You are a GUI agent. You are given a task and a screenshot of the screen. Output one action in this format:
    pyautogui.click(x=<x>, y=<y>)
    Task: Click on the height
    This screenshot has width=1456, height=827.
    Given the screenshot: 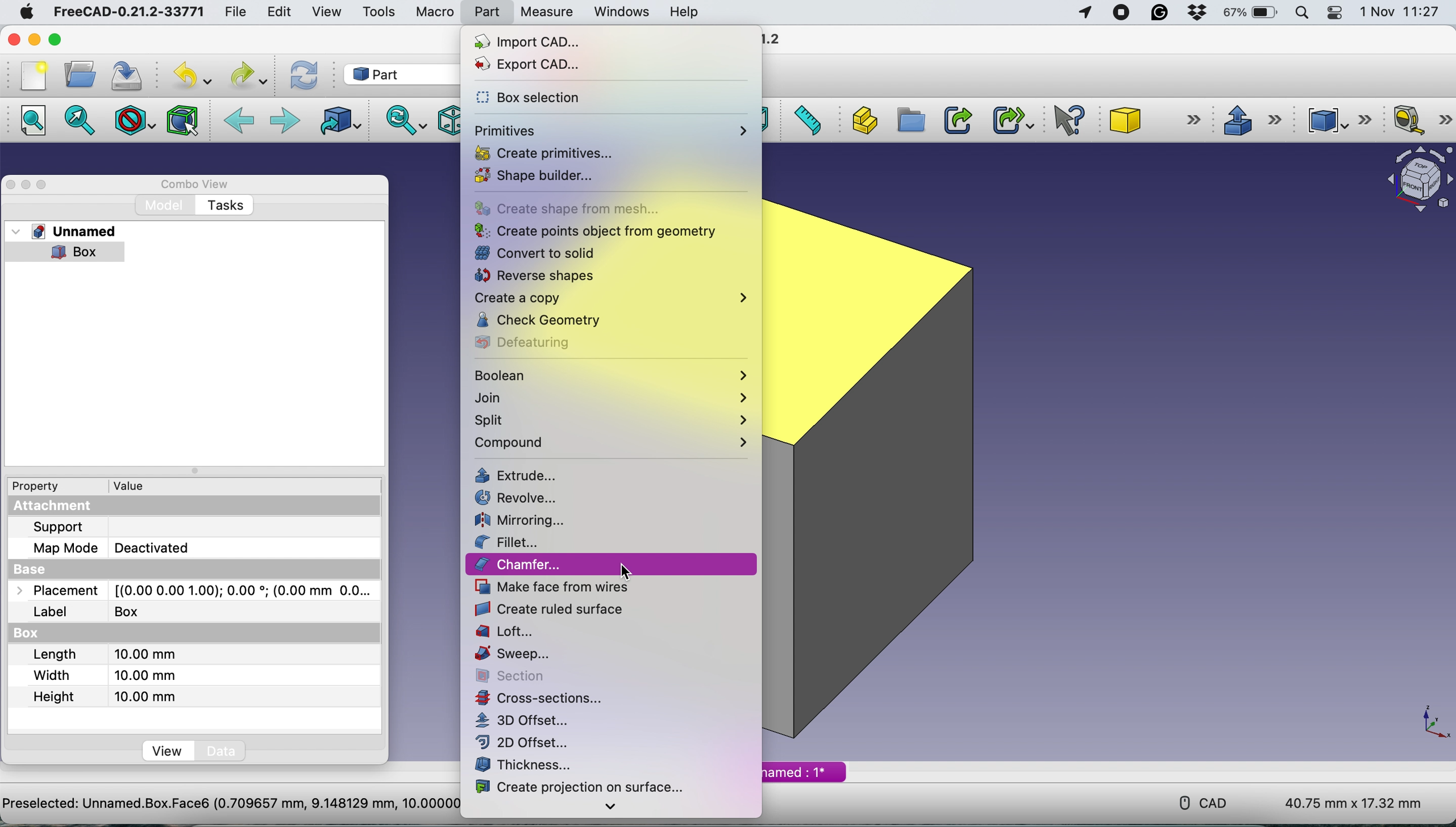 What is the action you would take?
    pyautogui.click(x=101, y=696)
    